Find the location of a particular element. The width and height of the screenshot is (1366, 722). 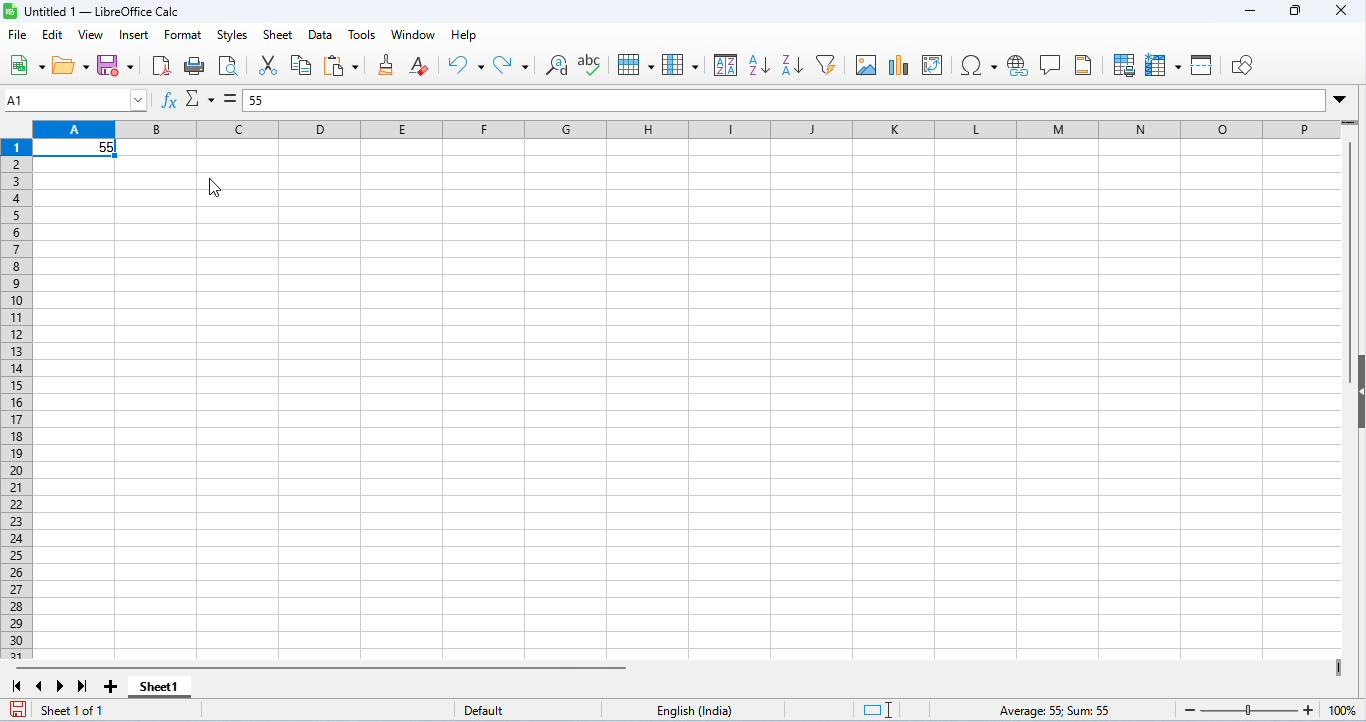

drop down is located at coordinates (1343, 101).